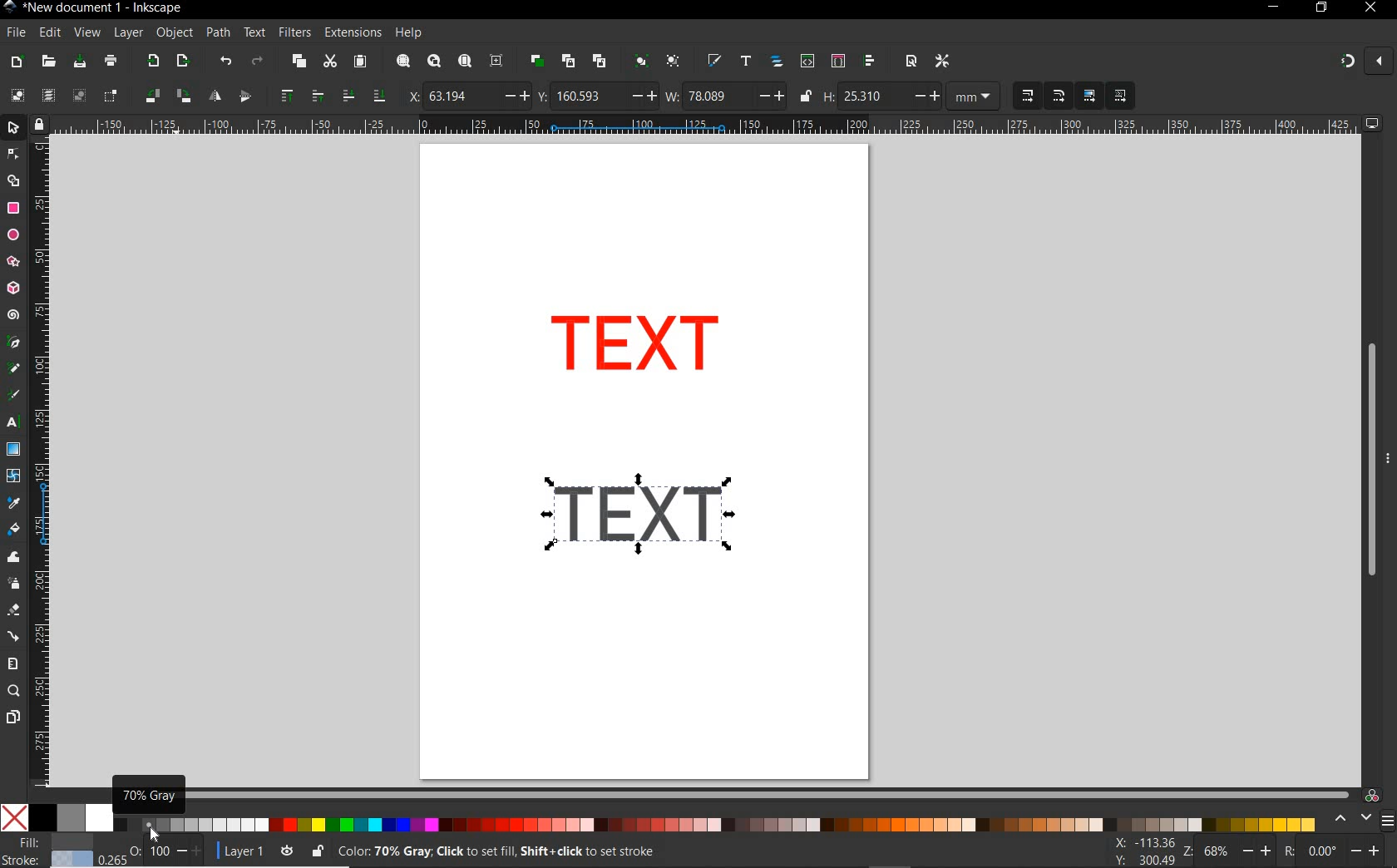  I want to click on deselect, so click(77, 96).